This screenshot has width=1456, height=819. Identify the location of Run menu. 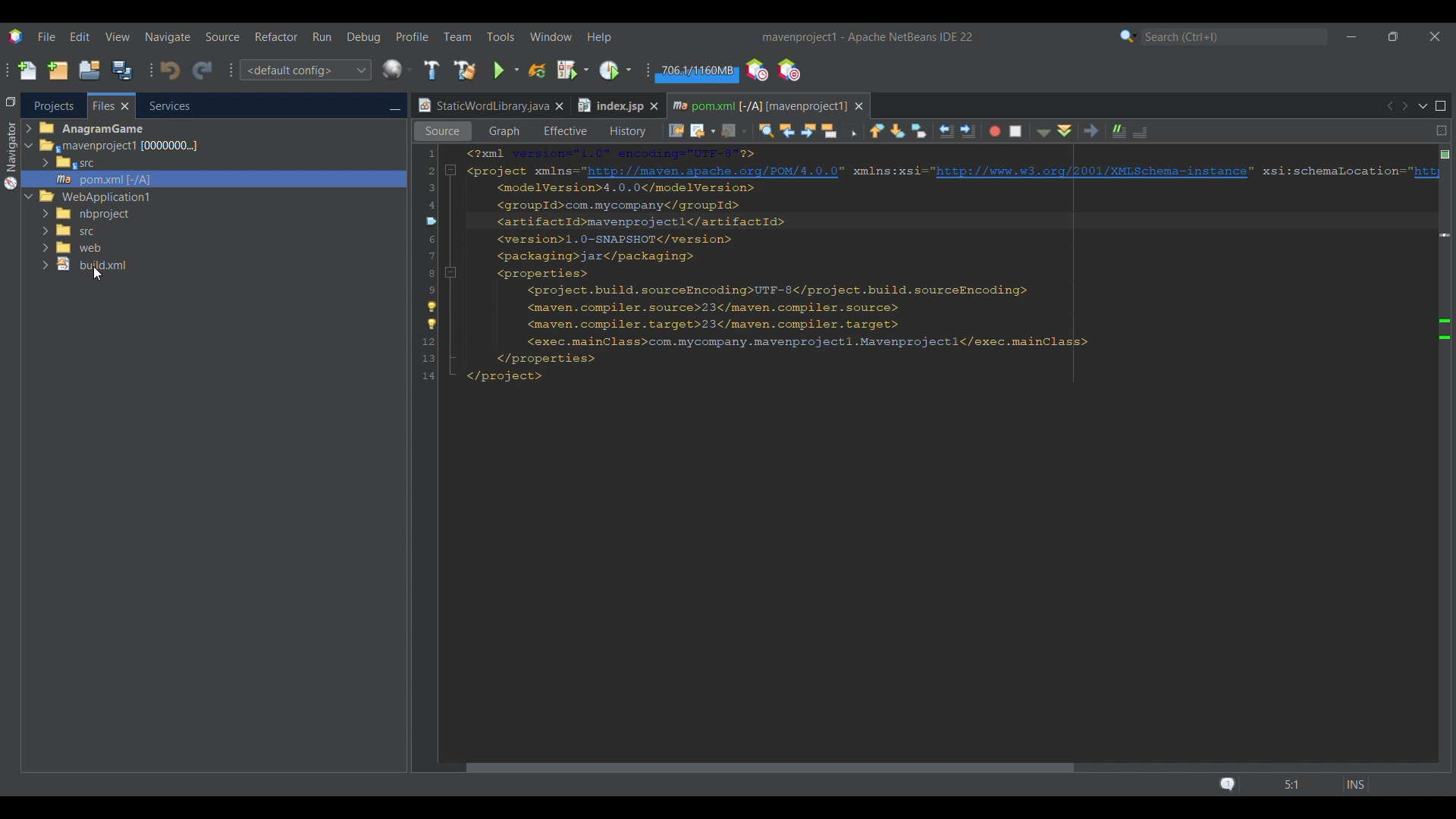
(322, 36).